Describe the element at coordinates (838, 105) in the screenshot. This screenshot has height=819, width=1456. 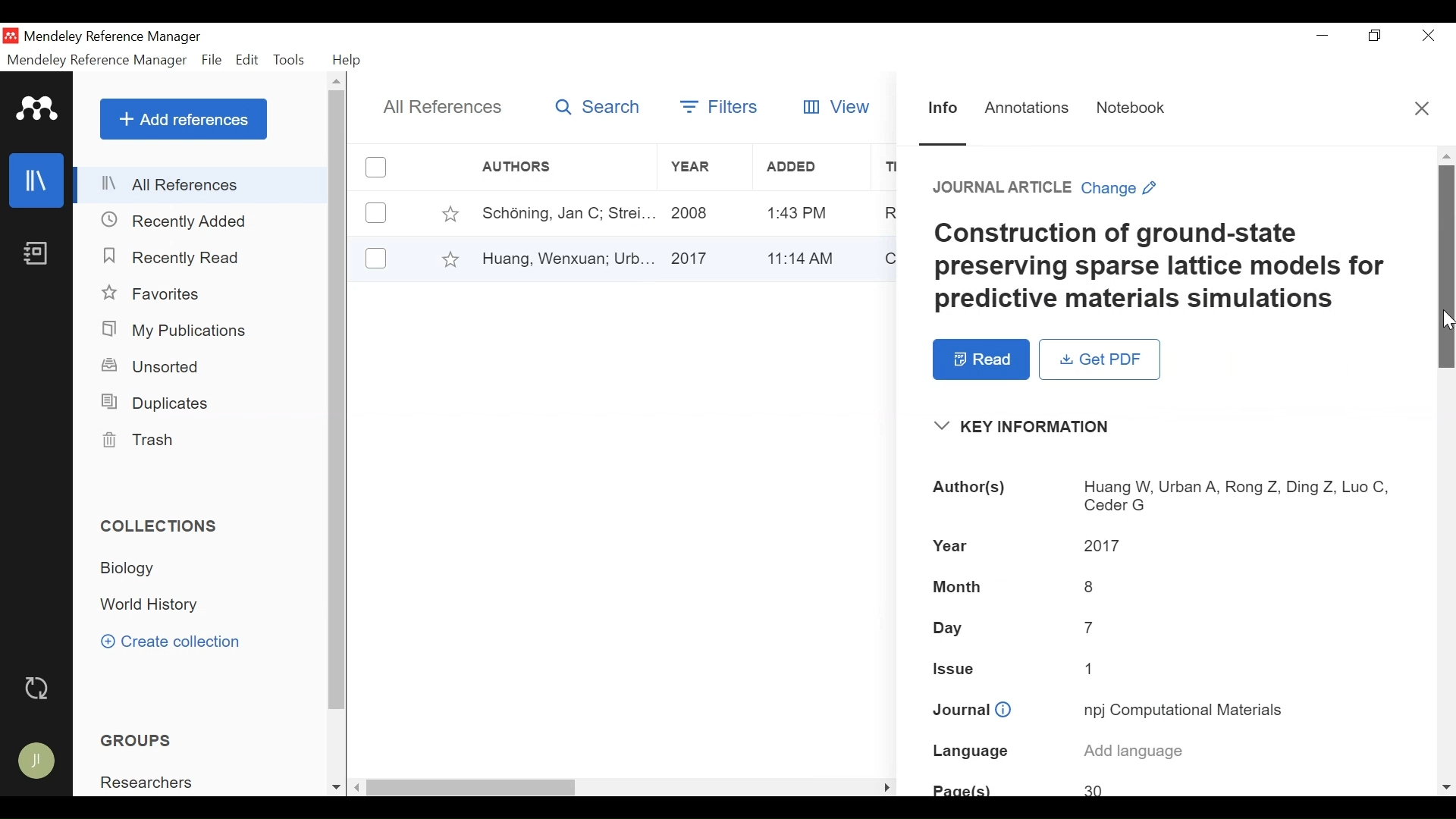
I see `View` at that location.